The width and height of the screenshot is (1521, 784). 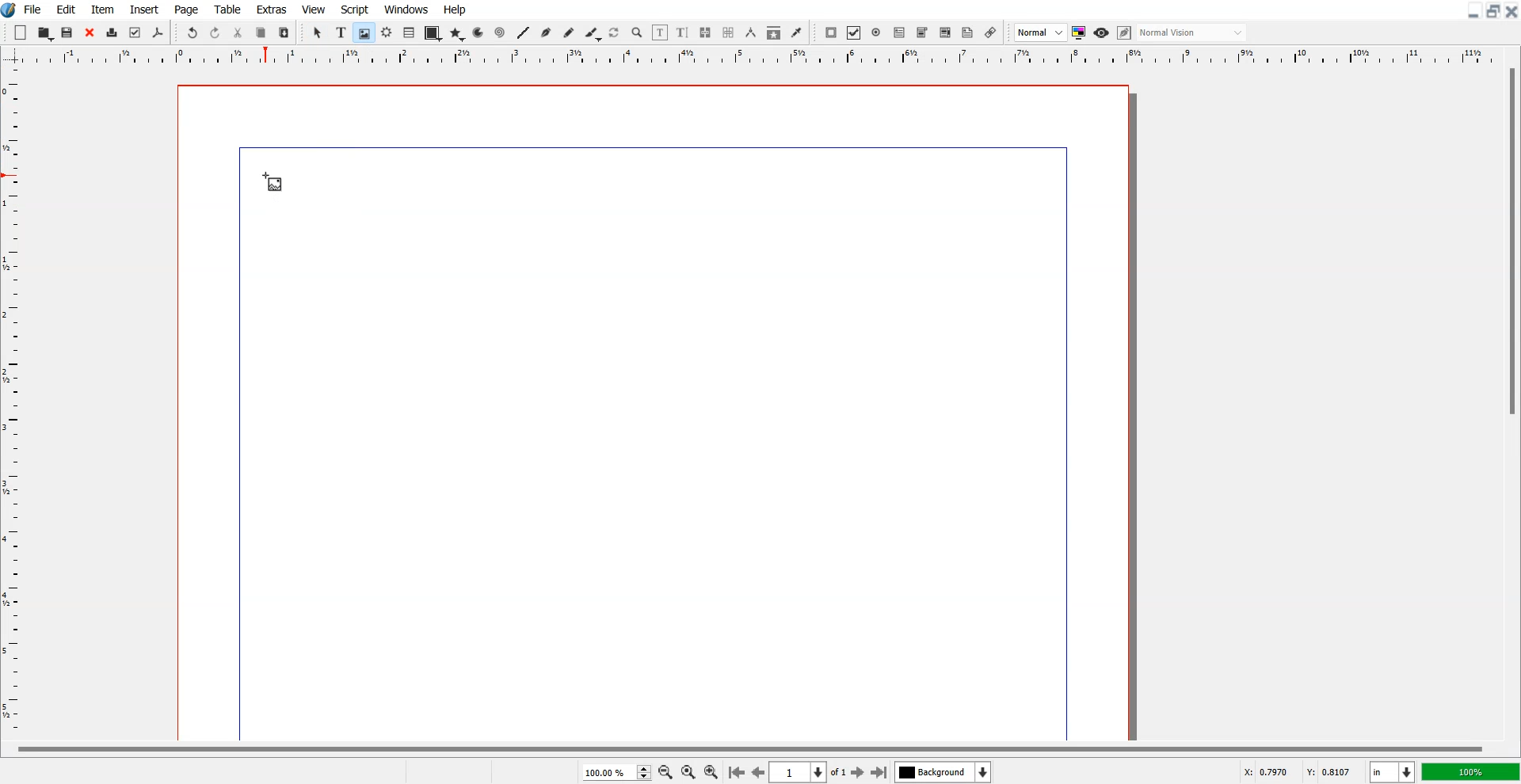 I want to click on Edit Content of Frame, so click(x=661, y=32).